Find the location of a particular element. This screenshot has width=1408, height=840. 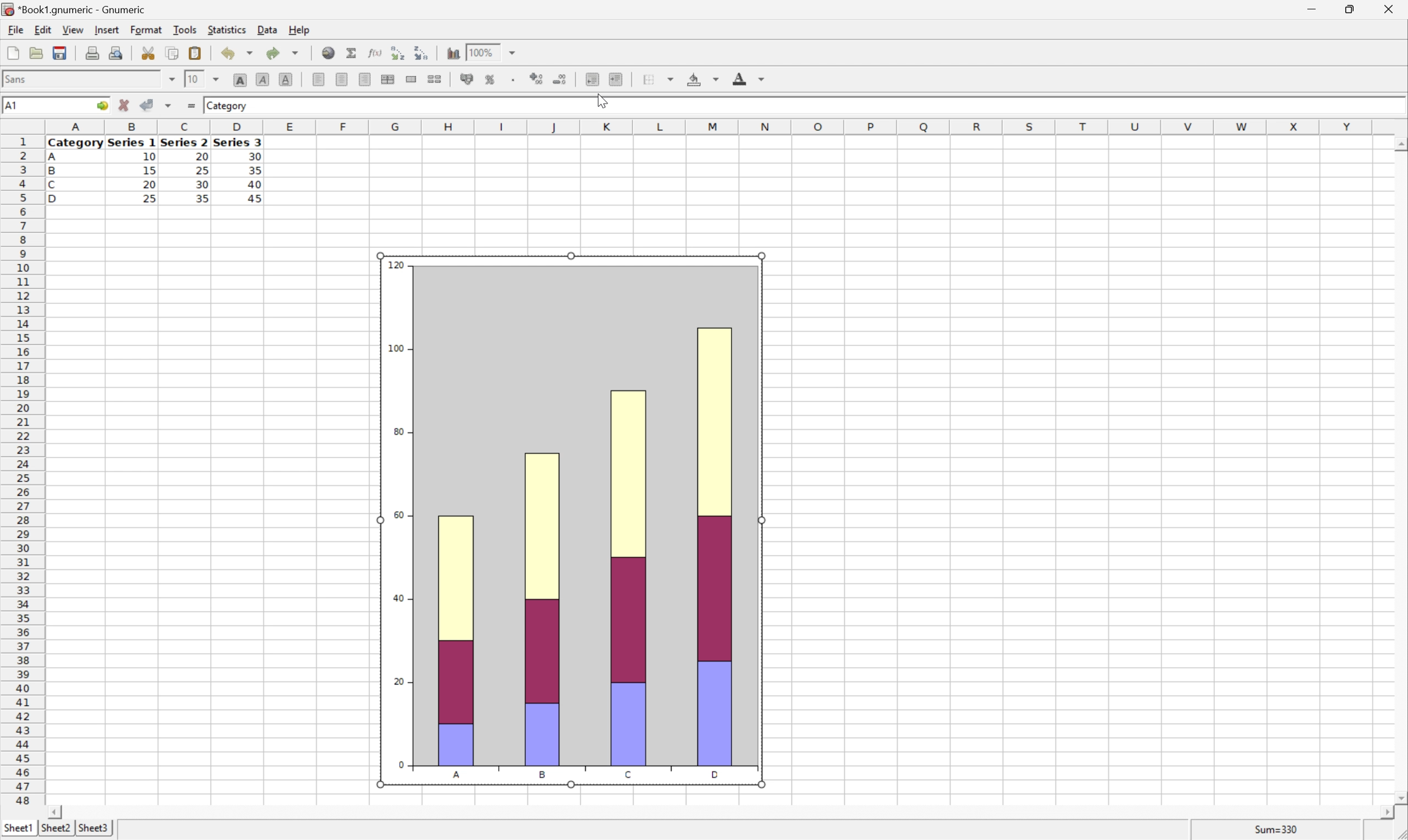

Underline is located at coordinates (286, 78).